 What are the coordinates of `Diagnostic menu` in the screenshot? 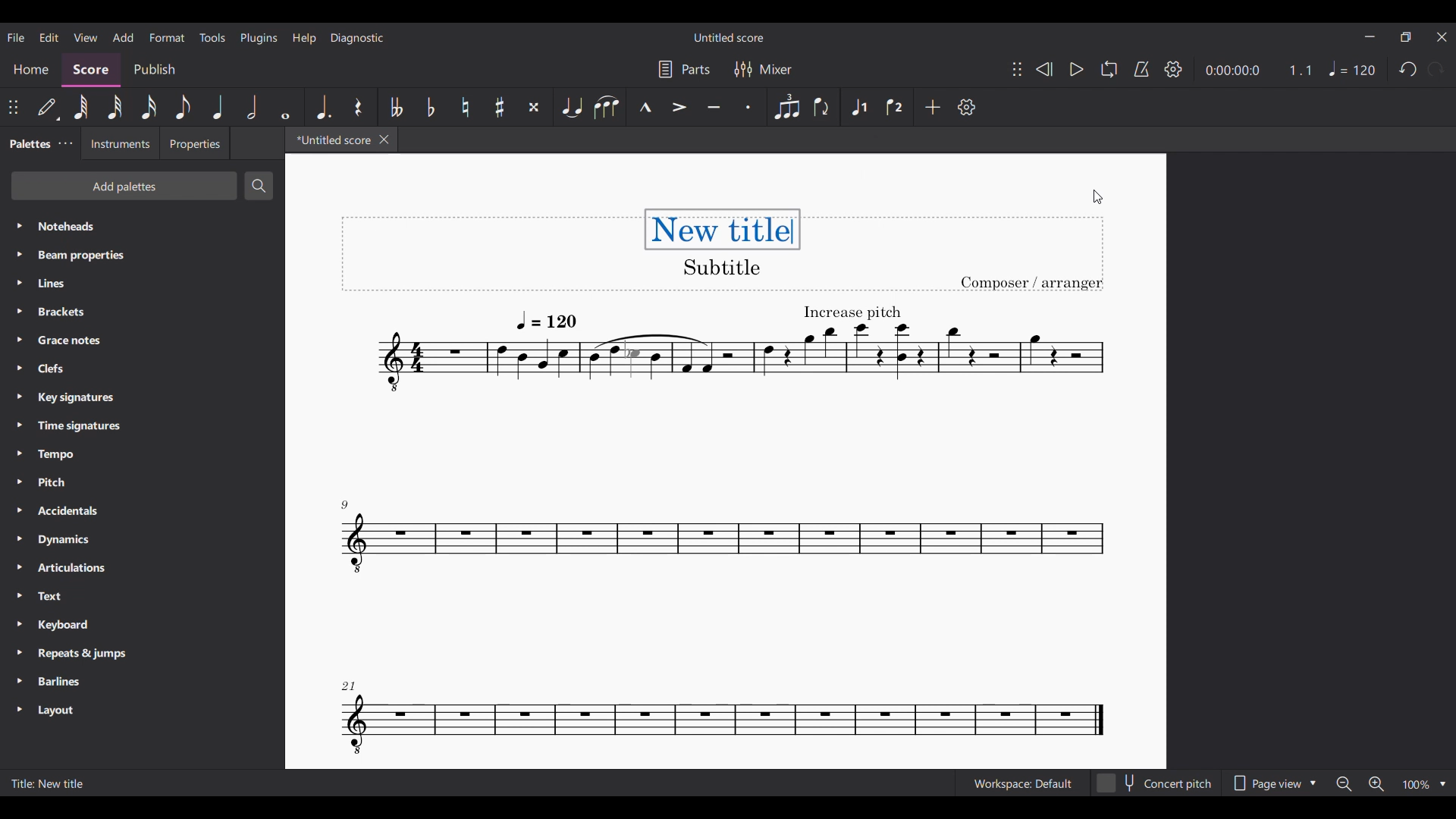 It's located at (357, 38).